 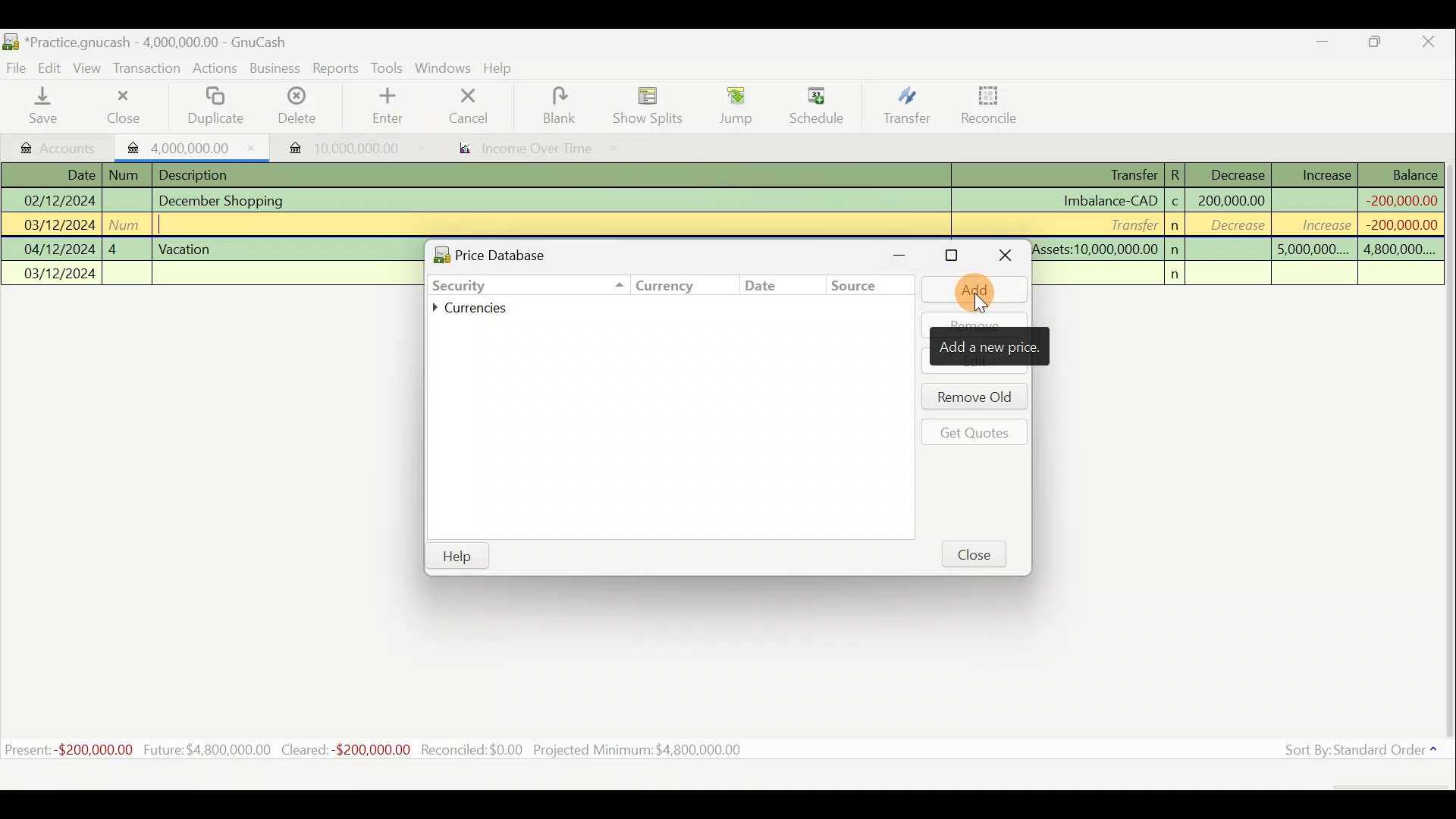 What do you see at coordinates (730, 106) in the screenshot?
I see `Jump` at bounding box center [730, 106].